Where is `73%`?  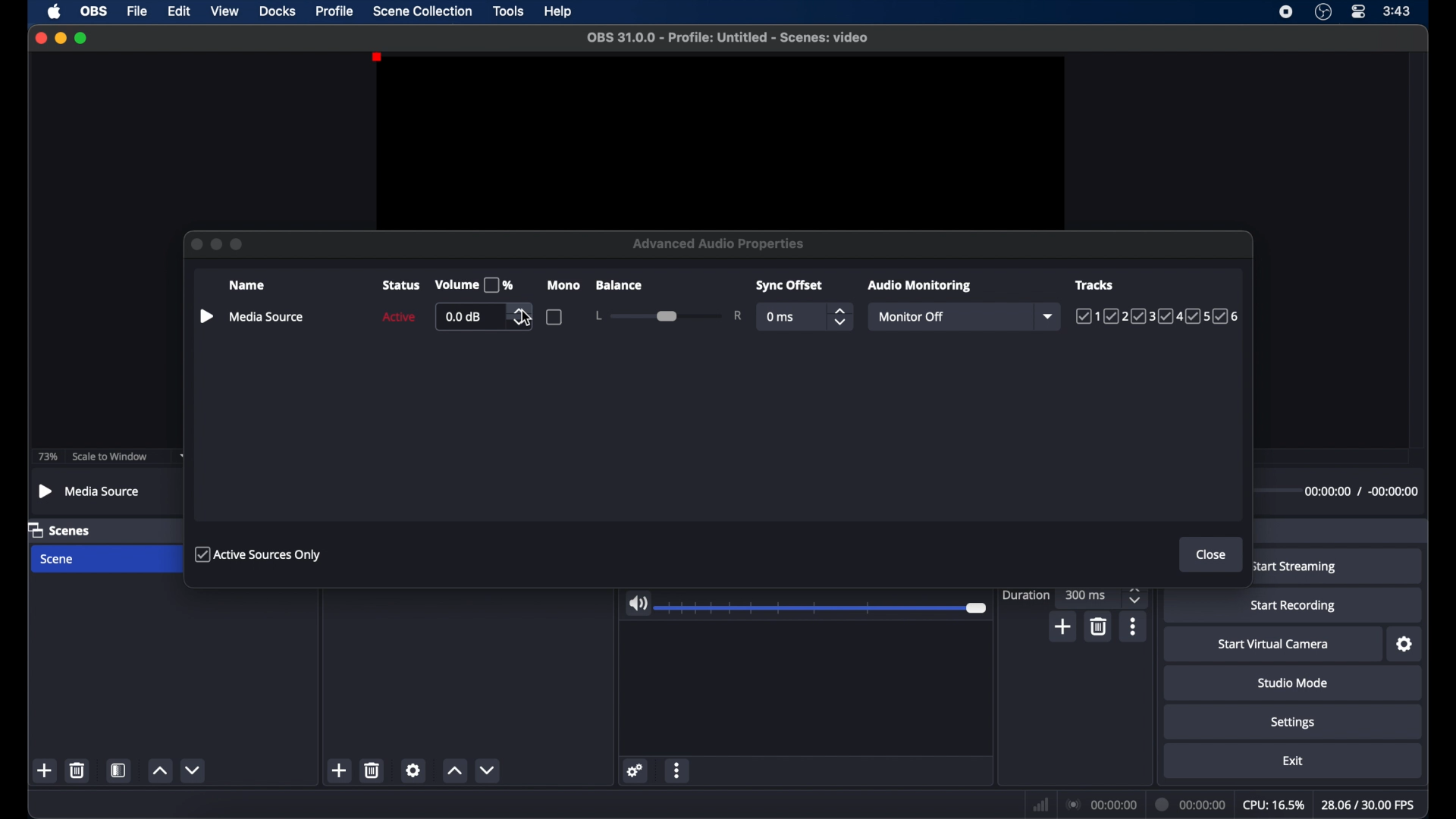
73% is located at coordinates (46, 457).